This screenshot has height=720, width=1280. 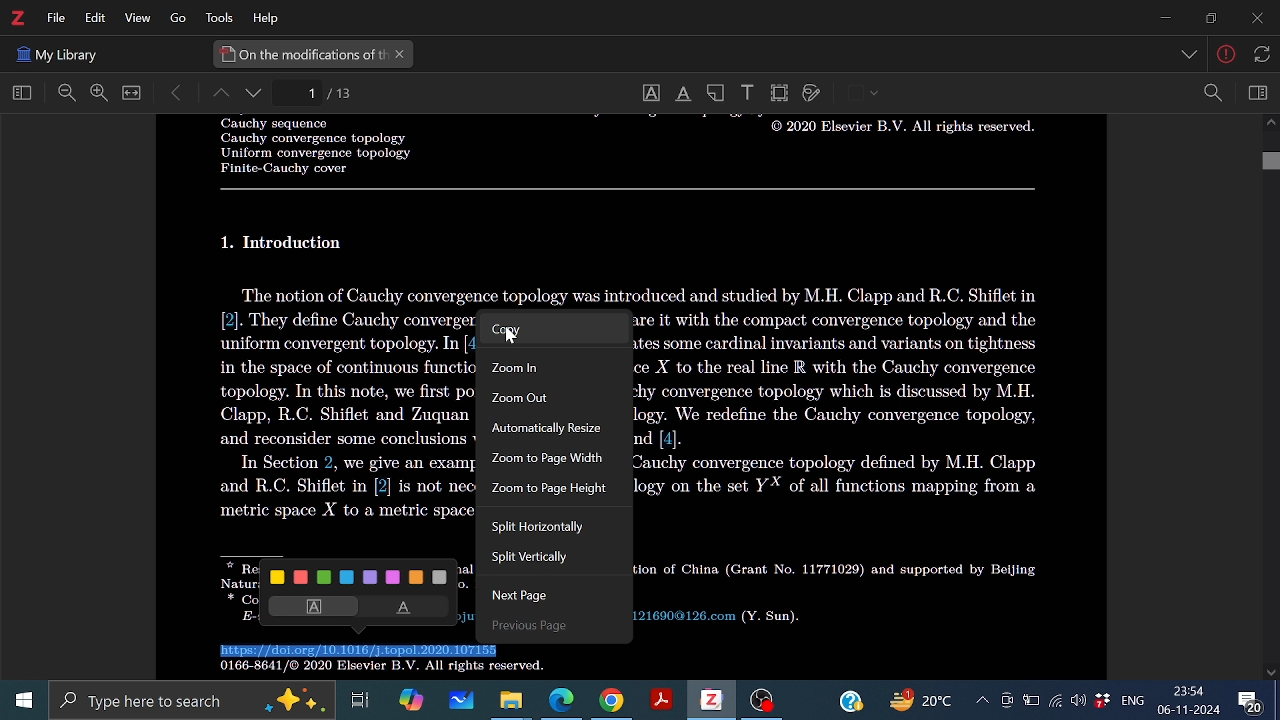 I want to click on , so click(x=172, y=19).